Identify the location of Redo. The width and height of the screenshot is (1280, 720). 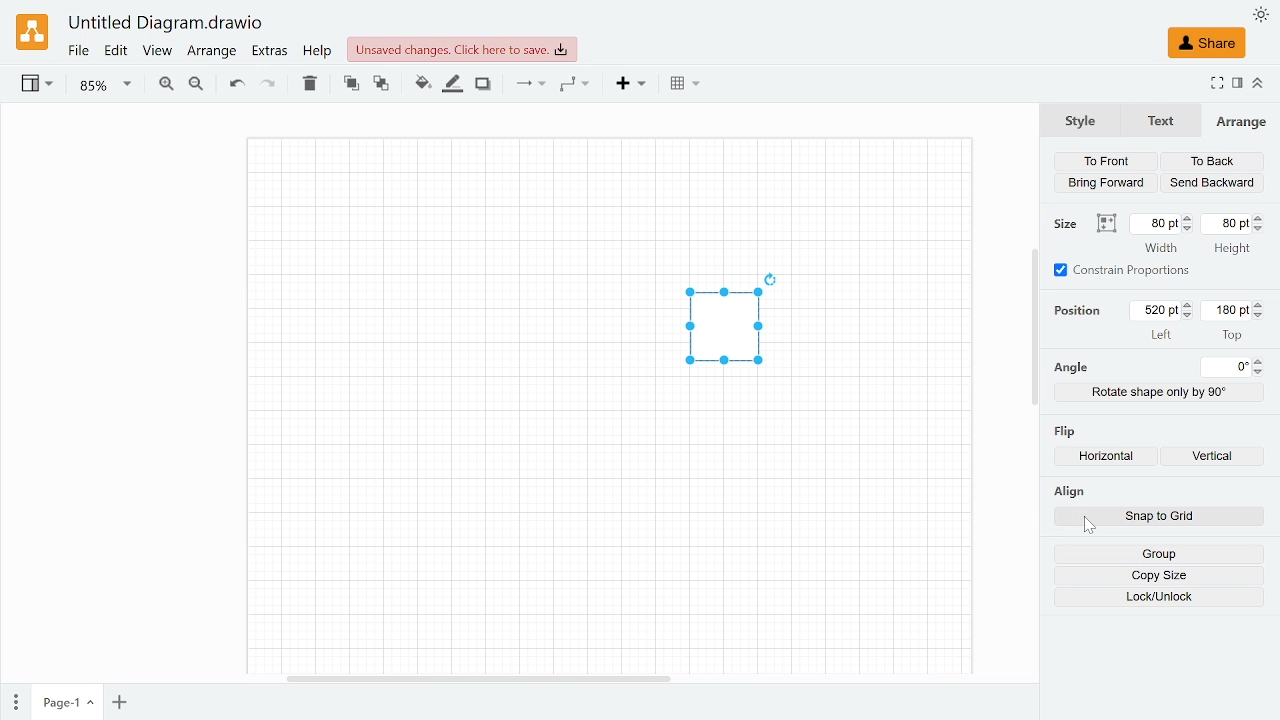
(267, 85).